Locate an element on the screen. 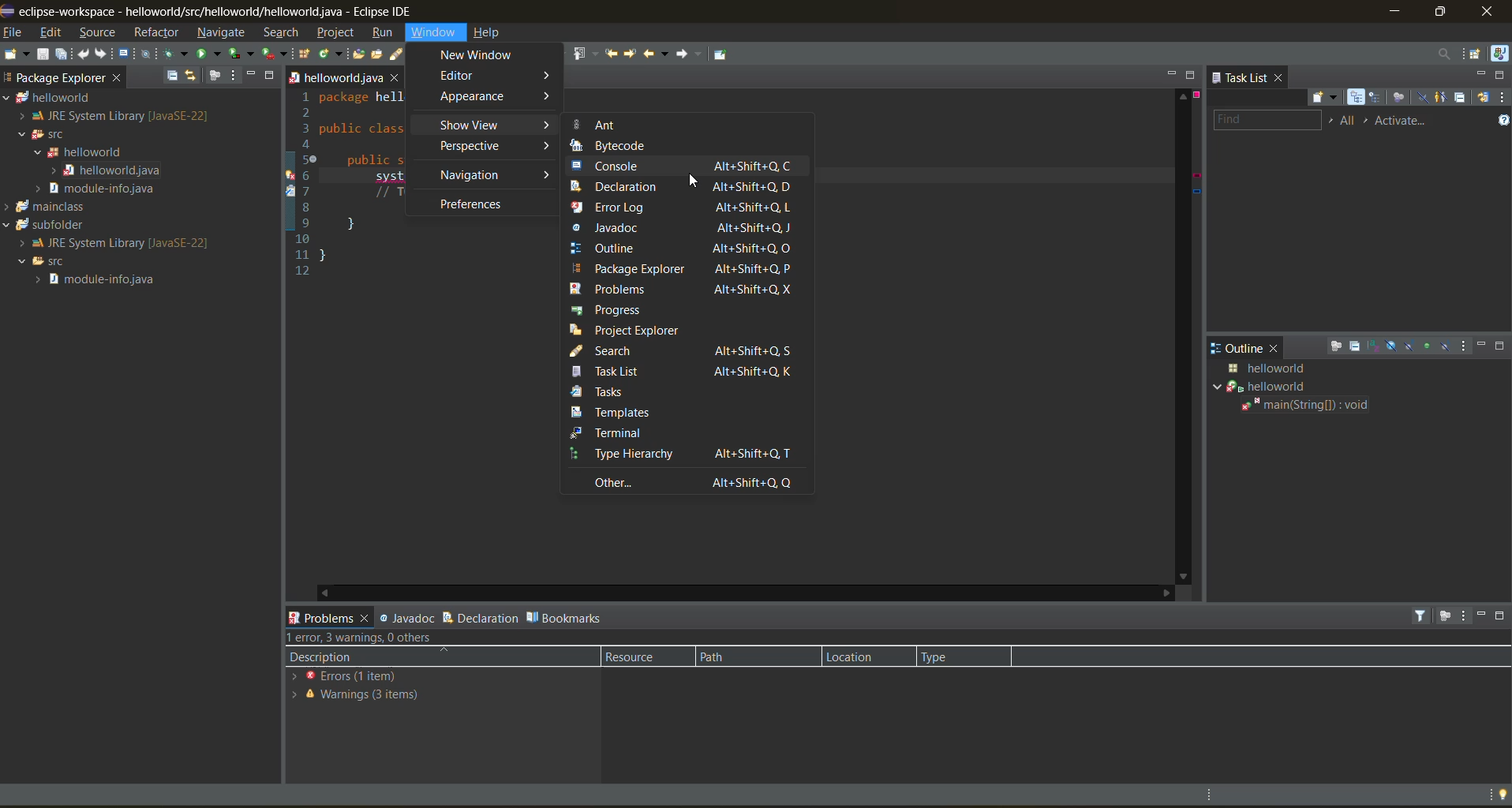 This screenshot has width=1512, height=808. module info java is located at coordinates (109, 282).